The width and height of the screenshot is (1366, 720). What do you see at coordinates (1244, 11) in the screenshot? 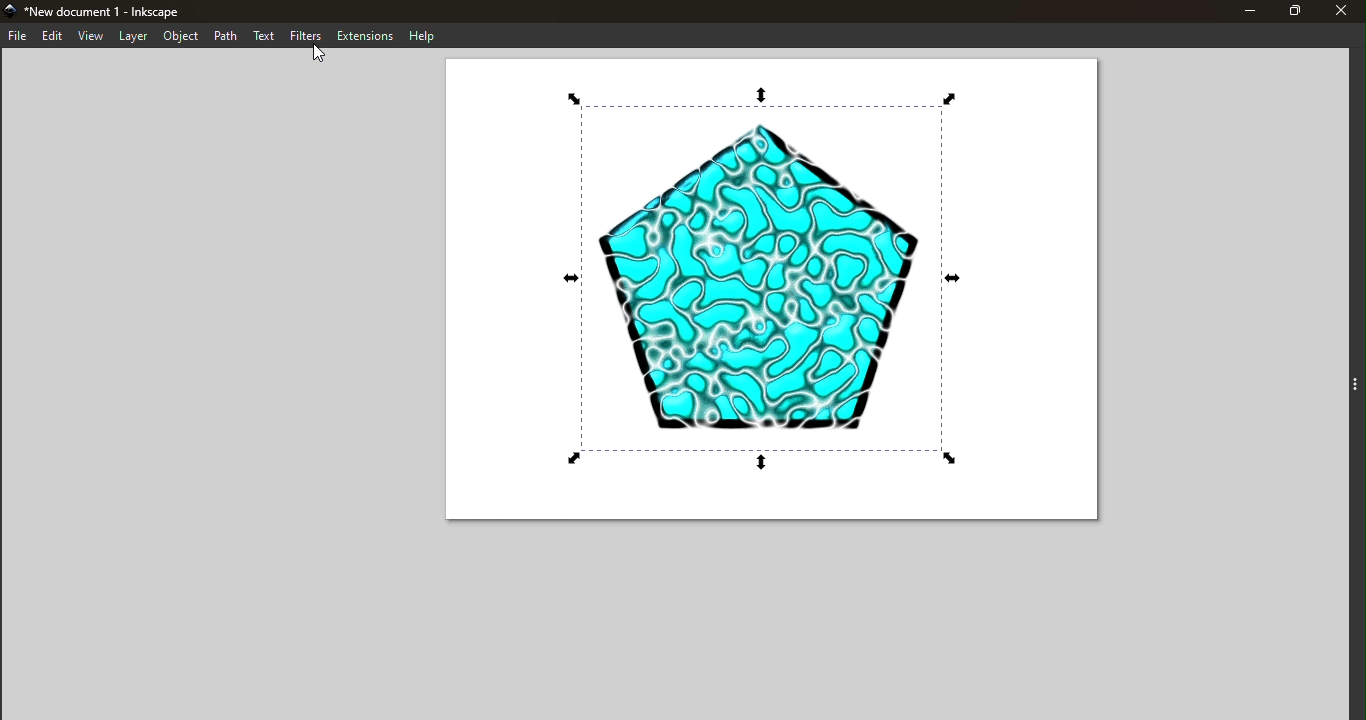
I see `Minimize` at bounding box center [1244, 11].